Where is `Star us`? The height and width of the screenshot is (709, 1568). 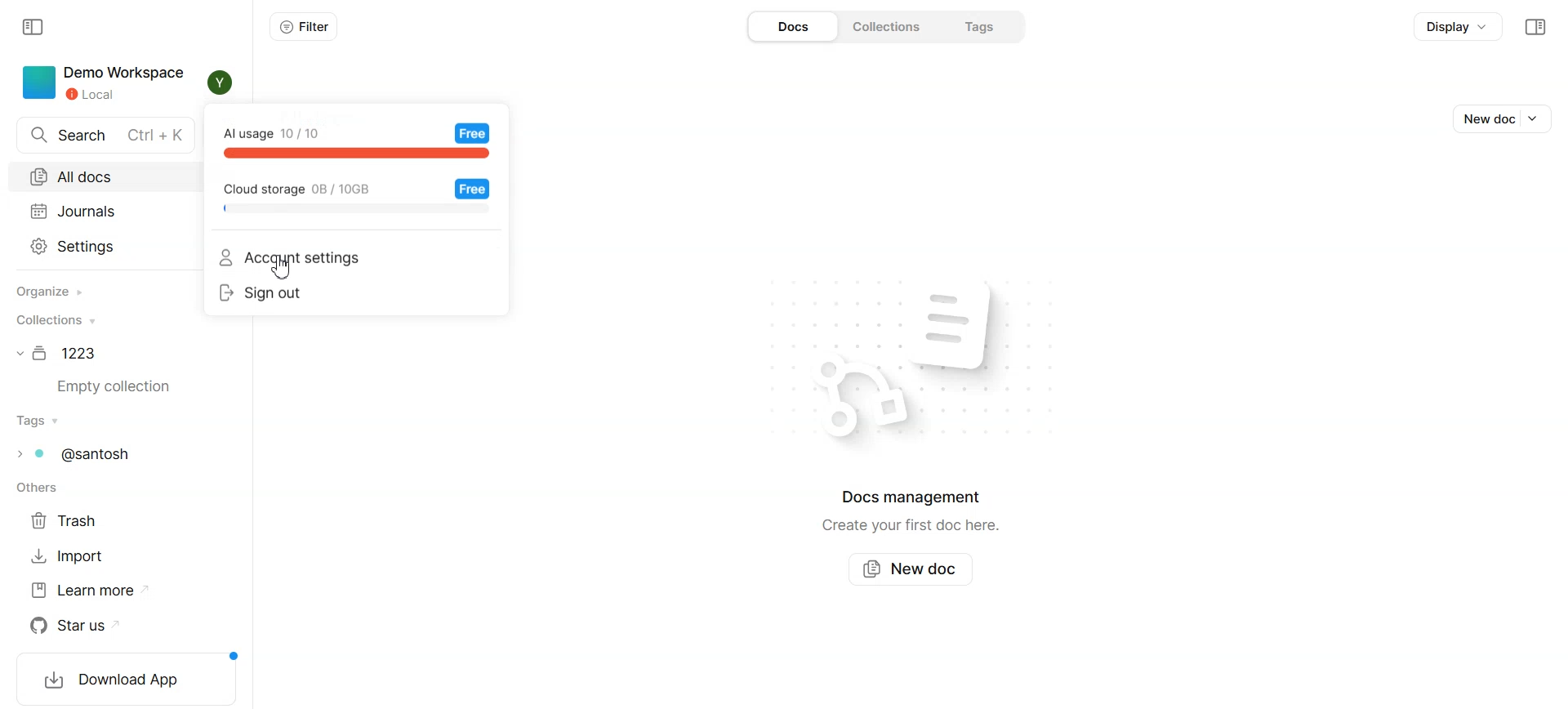 Star us is located at coordinates (91, 626).